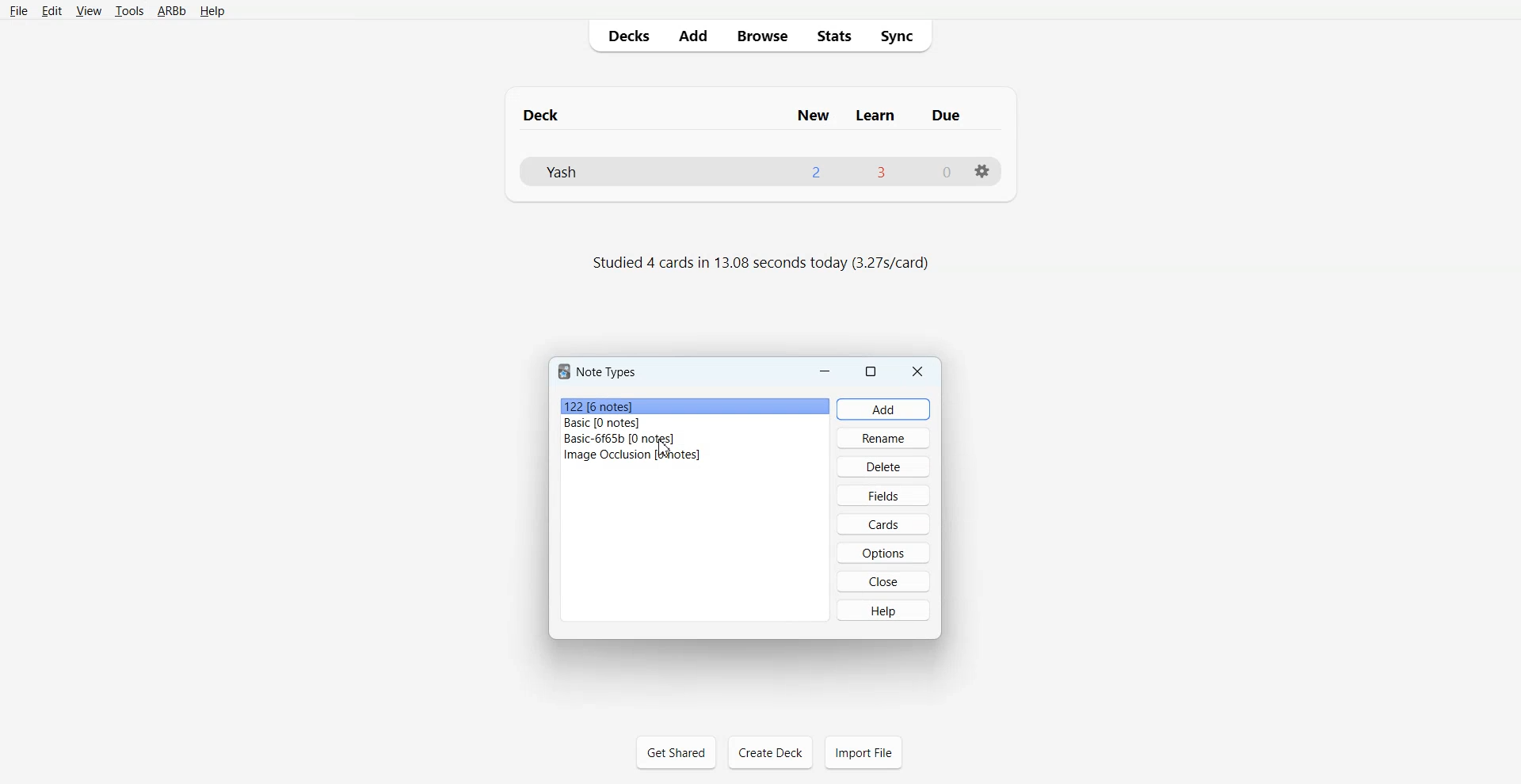 The image size is (1521, 784). What do you see at coordinates (863, 752) in the screenshot?
I see `Import File` at bounding box center [863, 752].